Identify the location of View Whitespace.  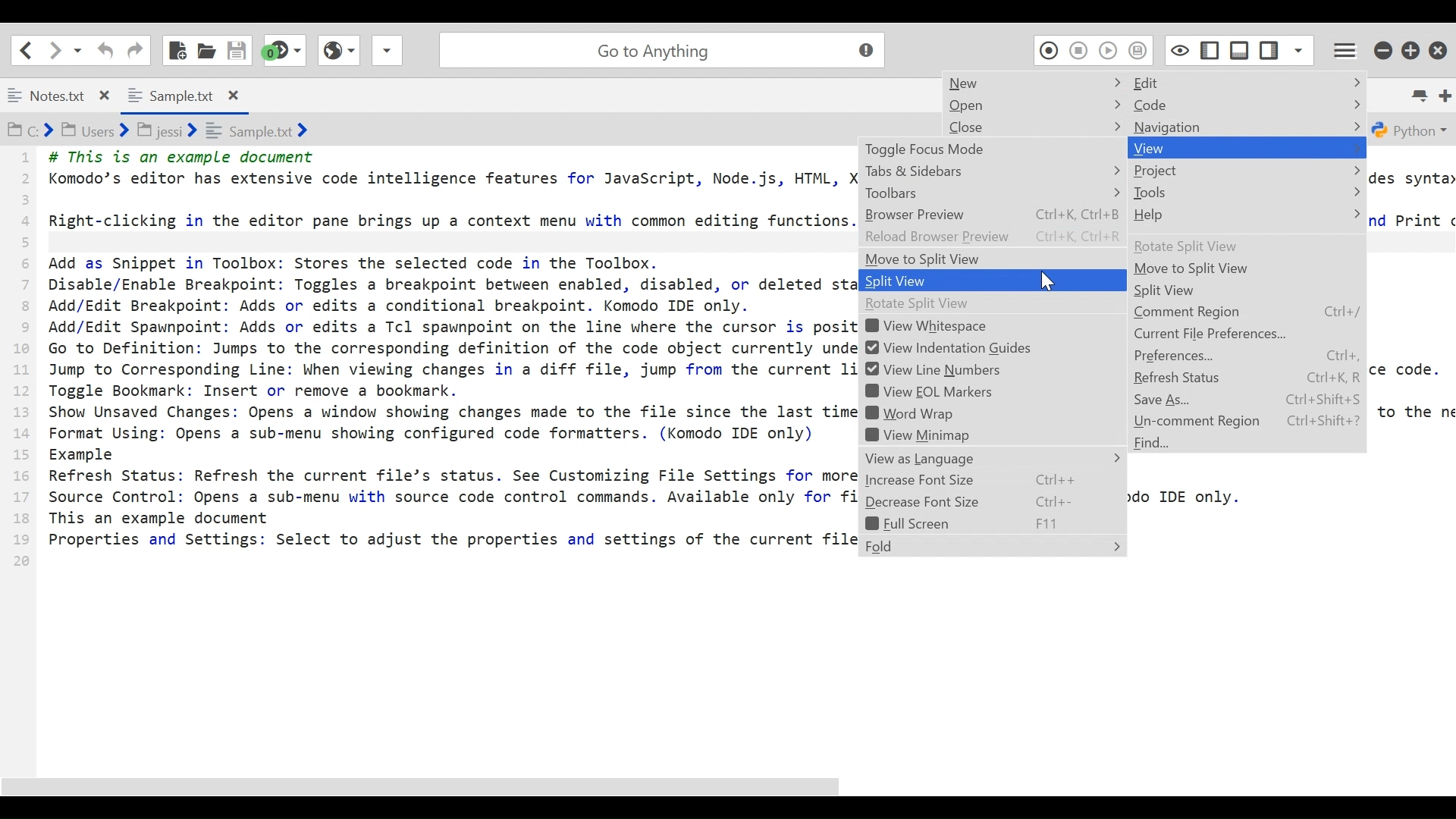
(990, 326).